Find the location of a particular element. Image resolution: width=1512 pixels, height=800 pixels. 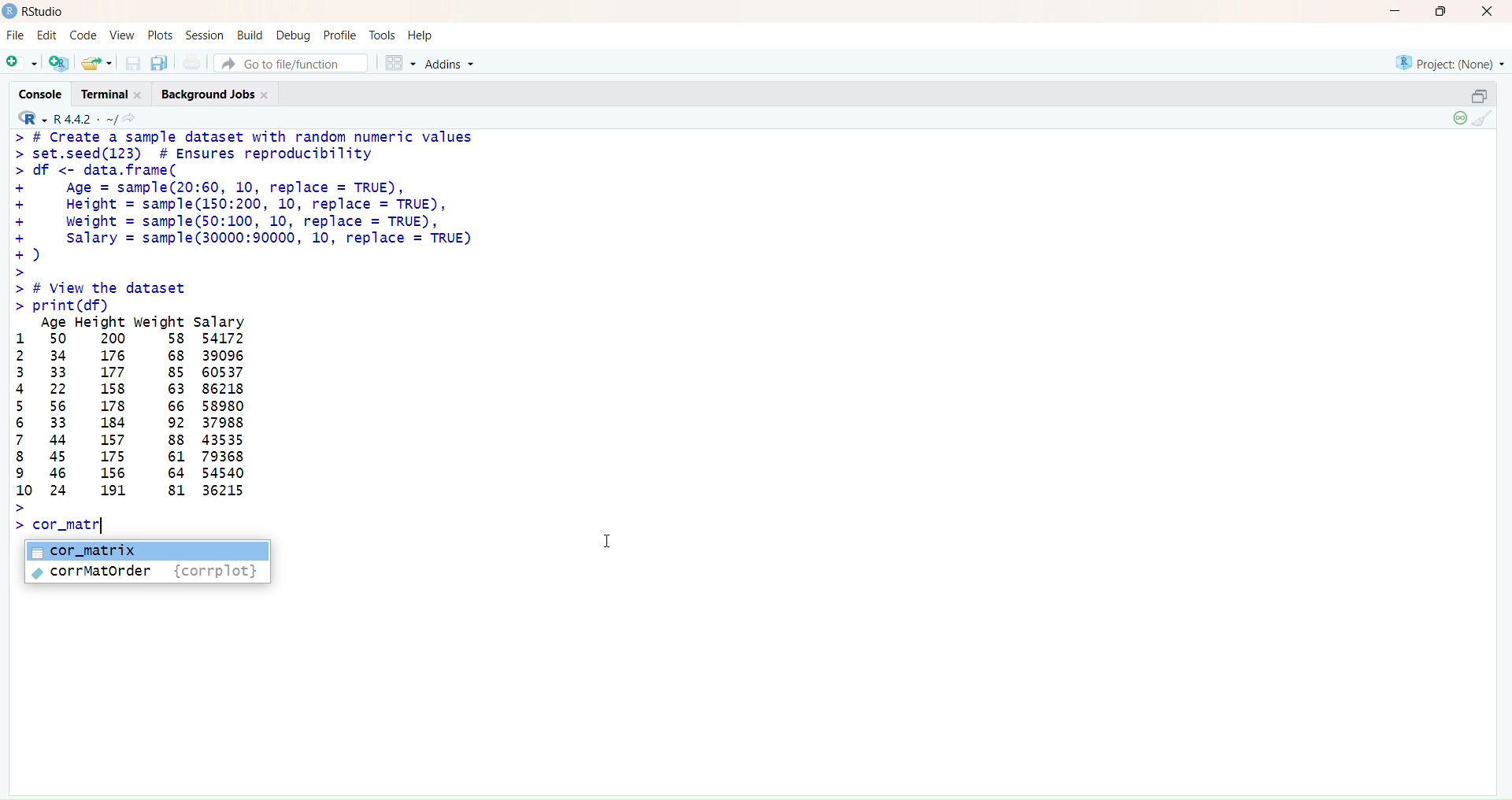

Background jobs is located at coordinates (217, 95).